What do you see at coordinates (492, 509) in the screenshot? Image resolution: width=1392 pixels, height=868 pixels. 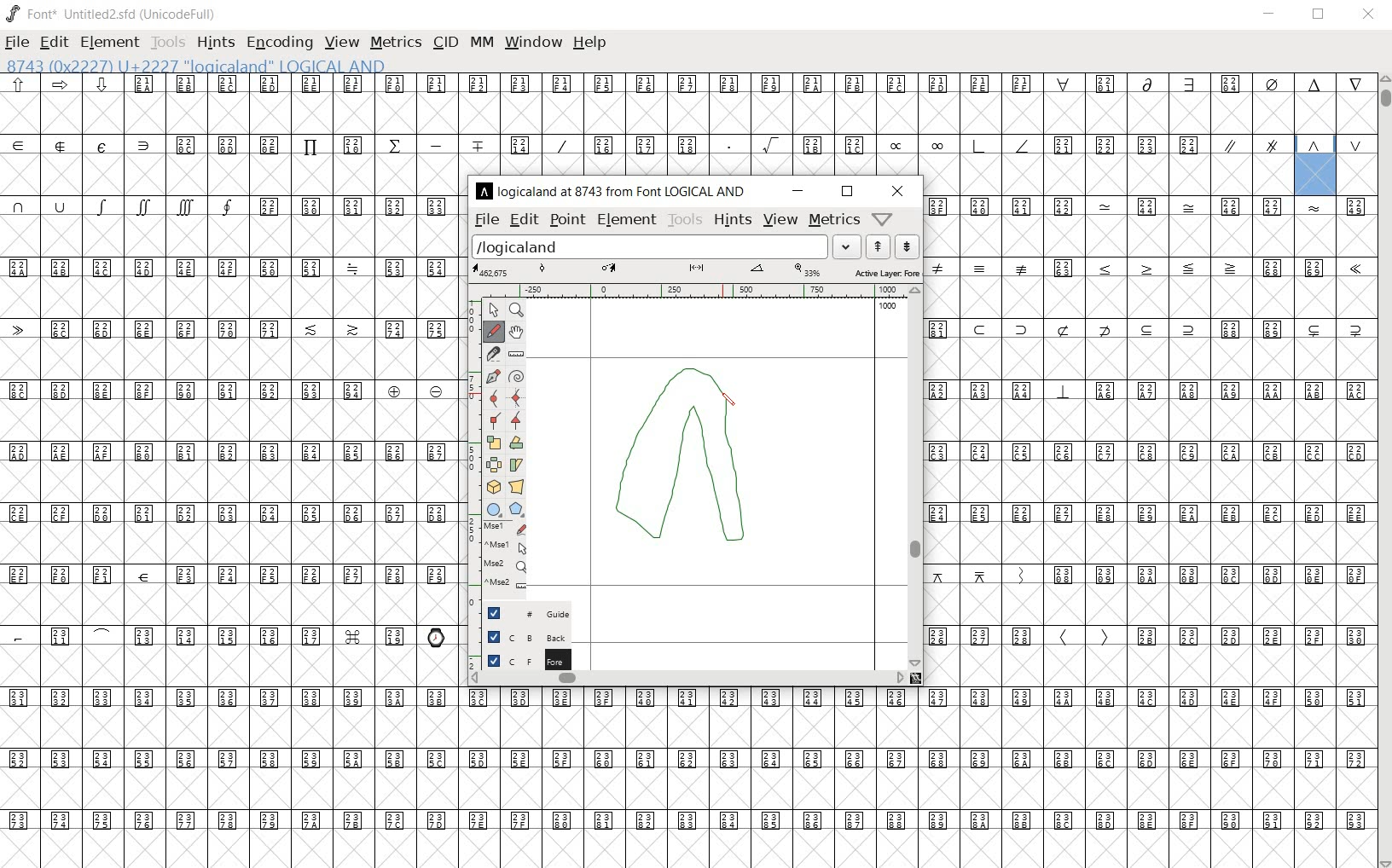 I see `rectangle or ellipse` at bounding box center [492, 509].